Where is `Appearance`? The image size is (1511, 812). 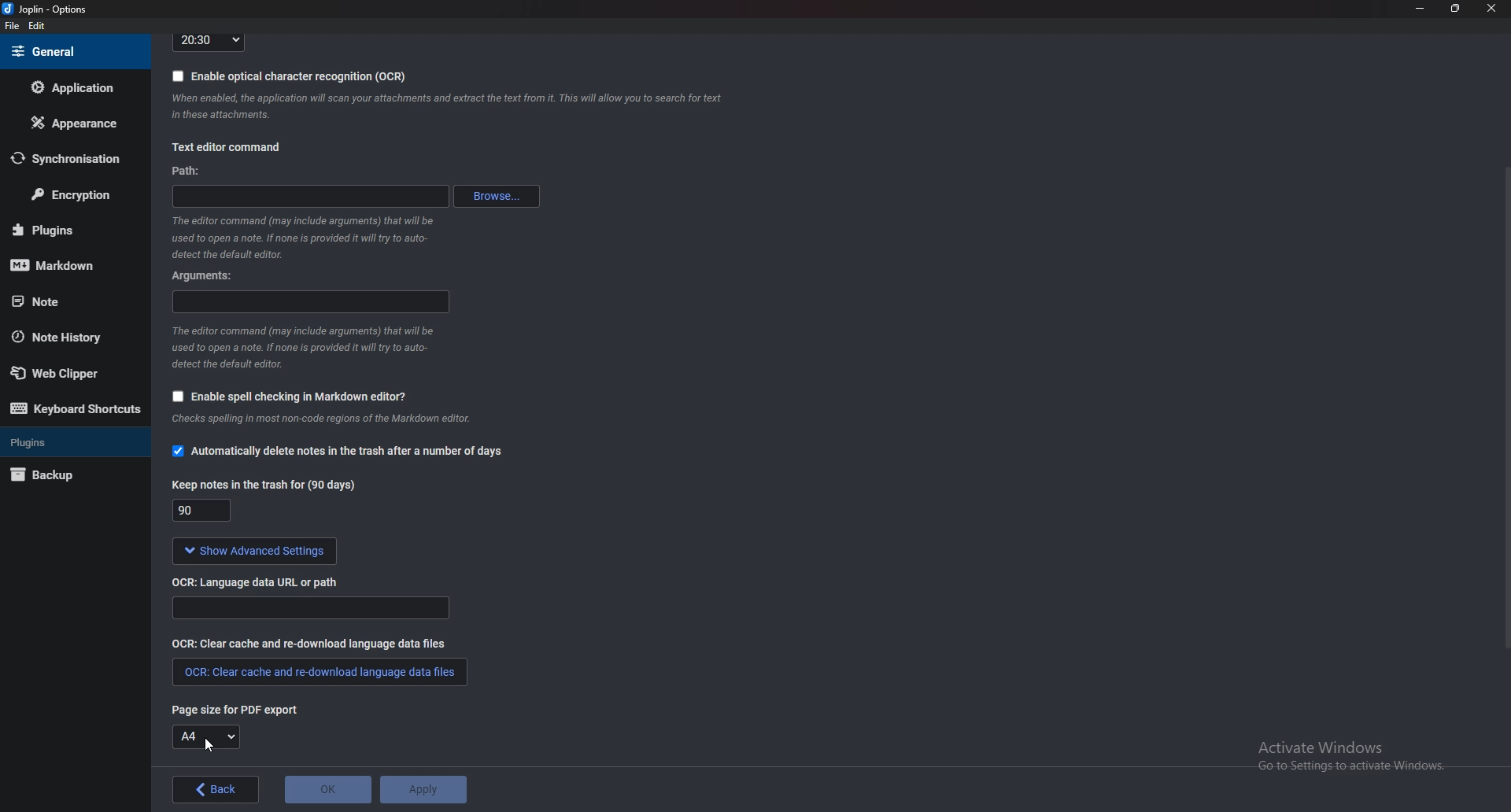 Appearance is located at coordinates (72, 123).